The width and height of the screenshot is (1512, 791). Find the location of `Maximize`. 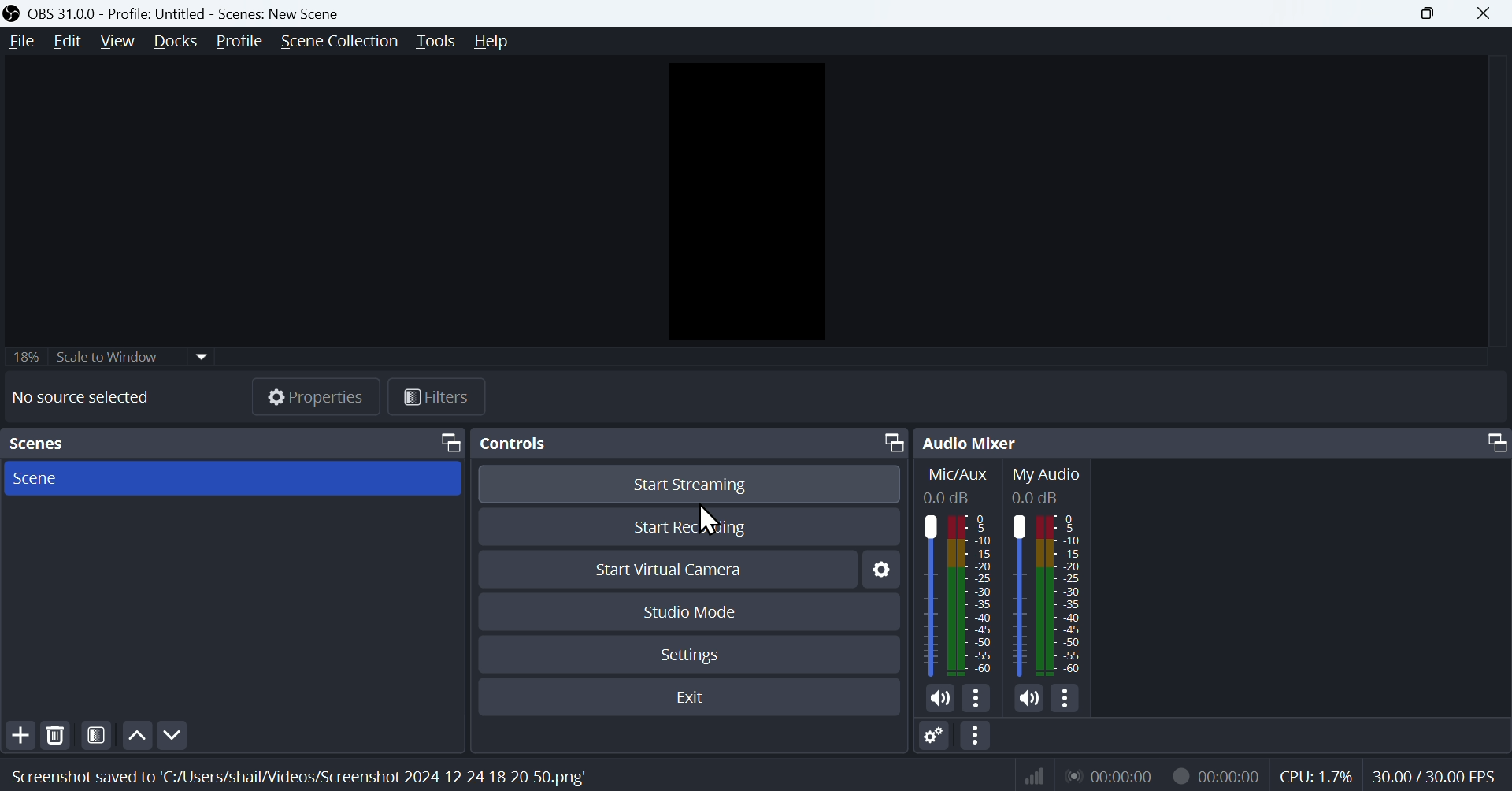

Maximize is located at coordinates (1488, 444).